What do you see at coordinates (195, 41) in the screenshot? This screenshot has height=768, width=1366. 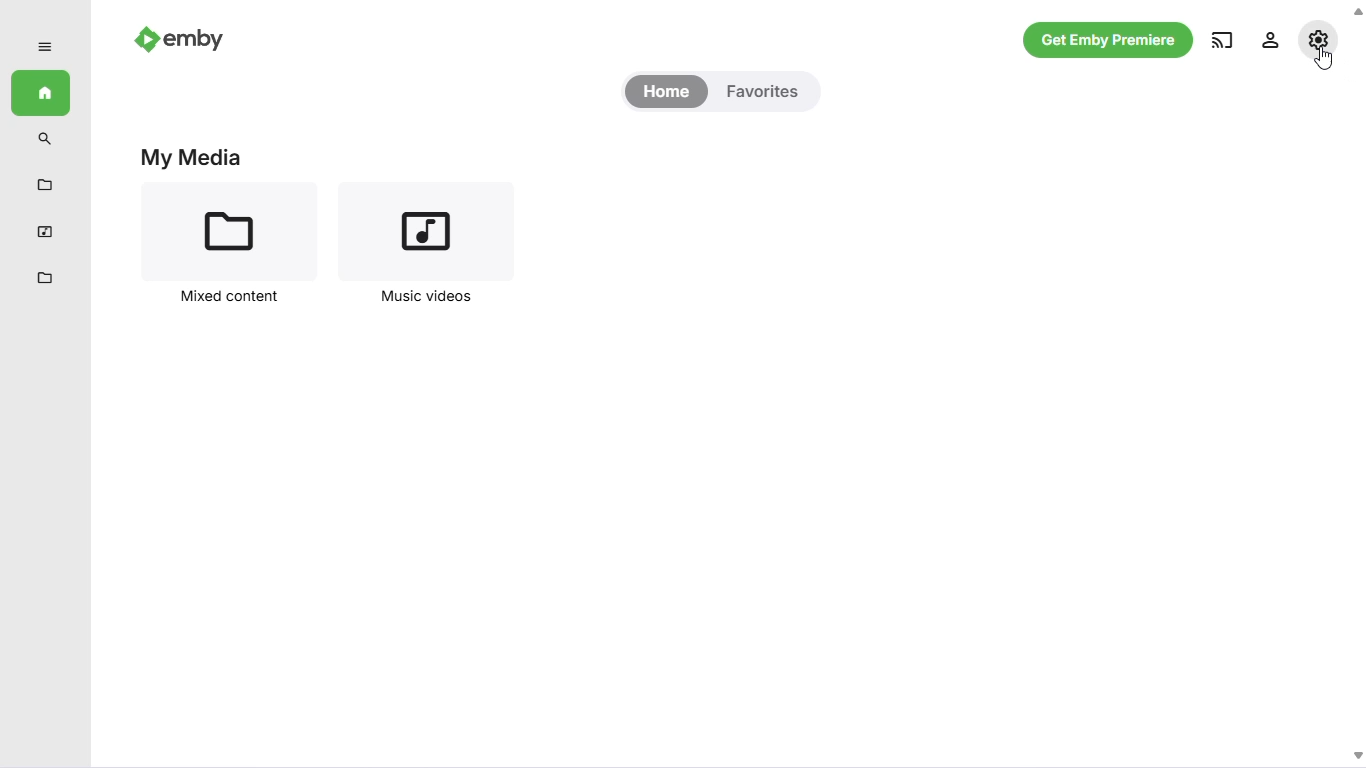 I see `emby` at bounding box center [195, 41].